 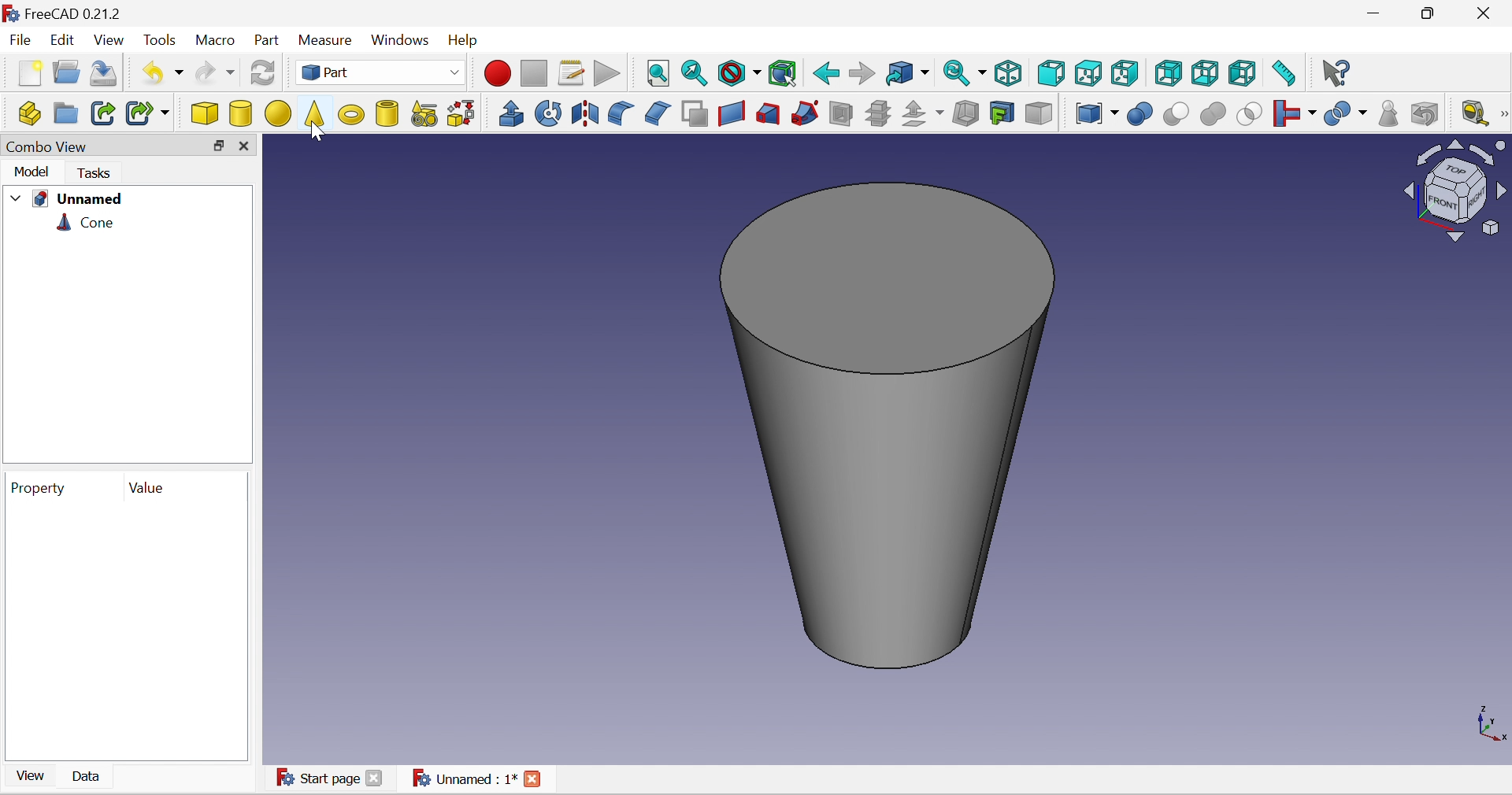 I want to click on Part, so click(x=380, y=71).